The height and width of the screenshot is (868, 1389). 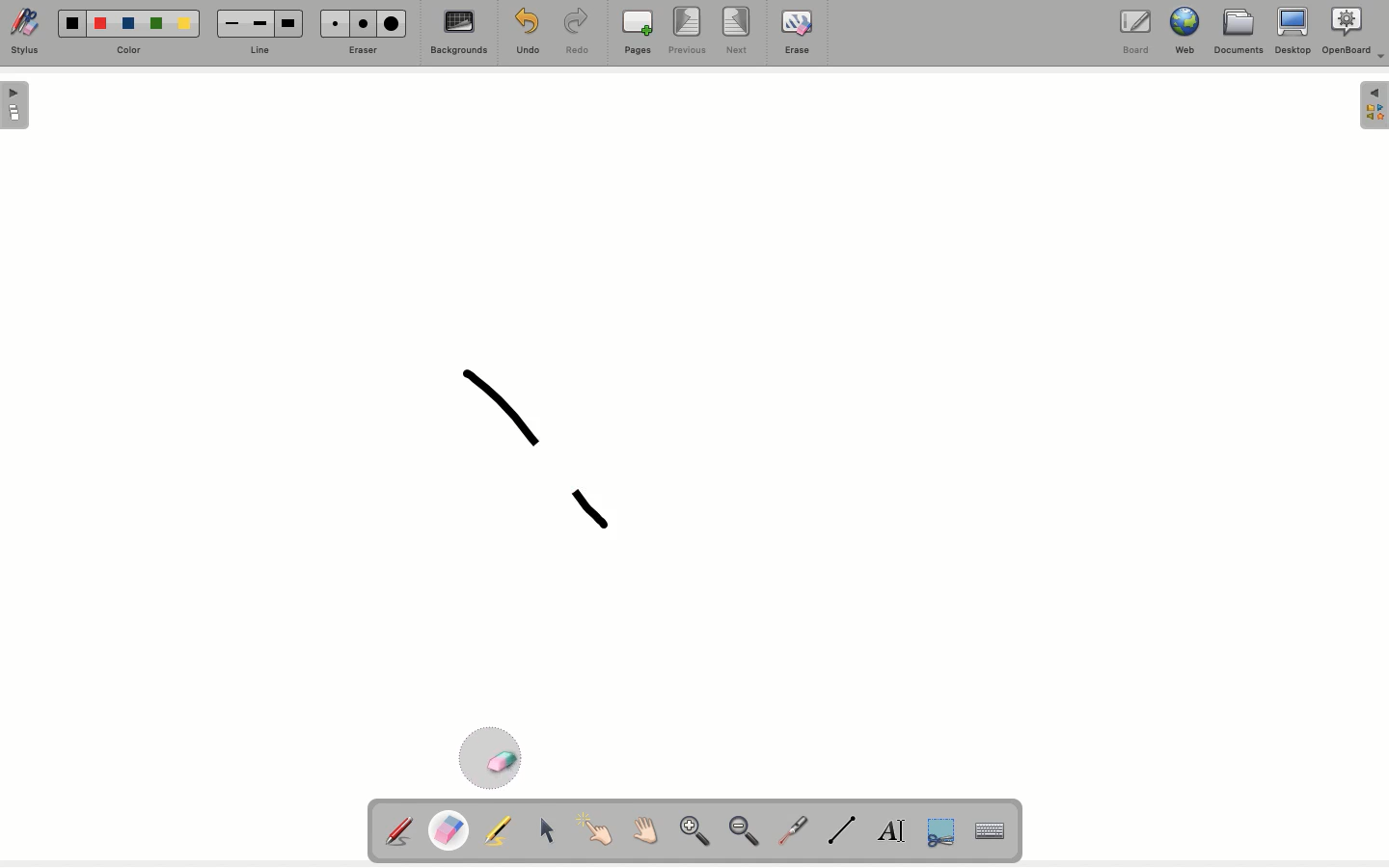 I want to click on Eraser, so click(x=451, y=829).